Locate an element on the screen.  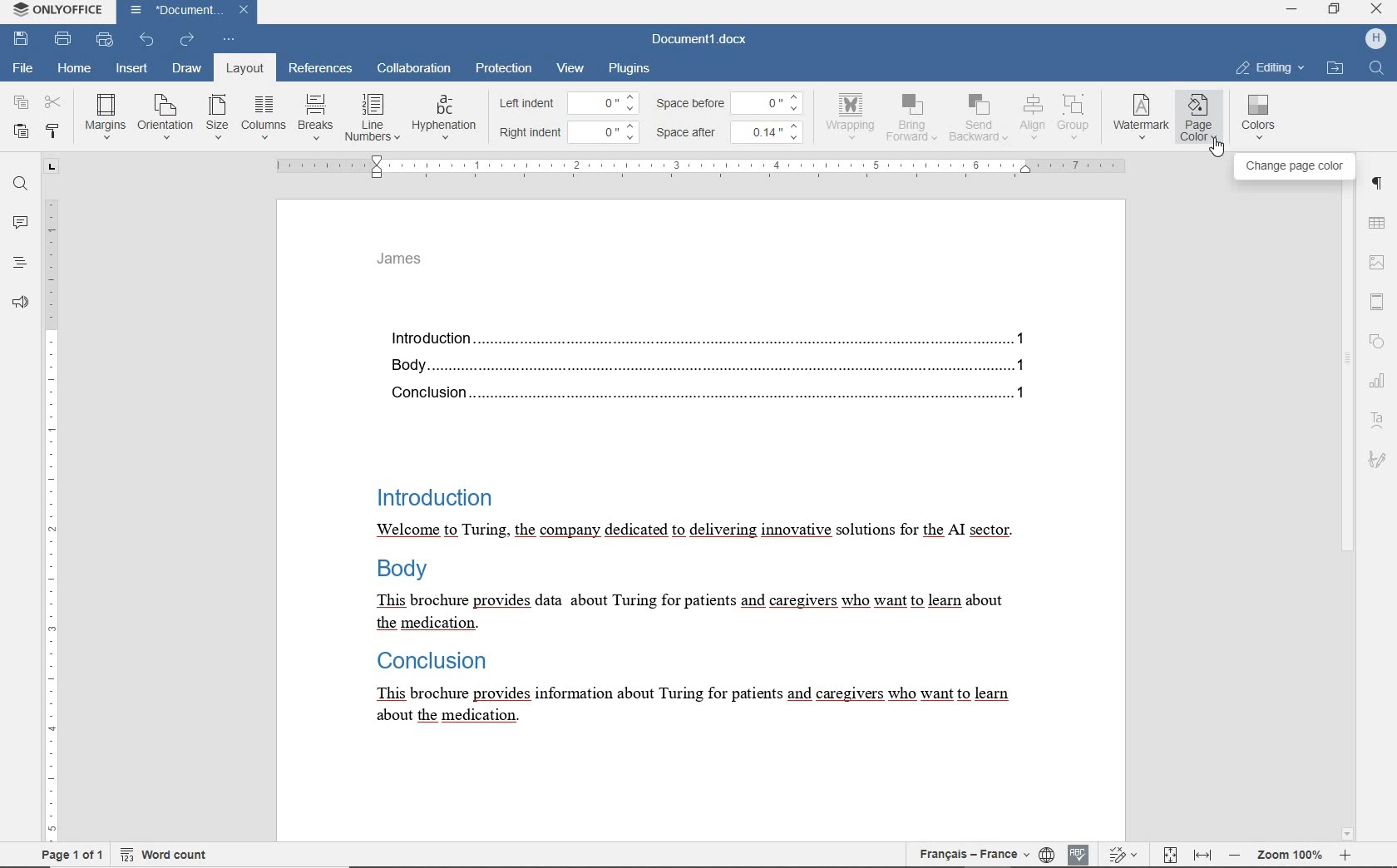
wrapping is located at coordinates (852, 117).